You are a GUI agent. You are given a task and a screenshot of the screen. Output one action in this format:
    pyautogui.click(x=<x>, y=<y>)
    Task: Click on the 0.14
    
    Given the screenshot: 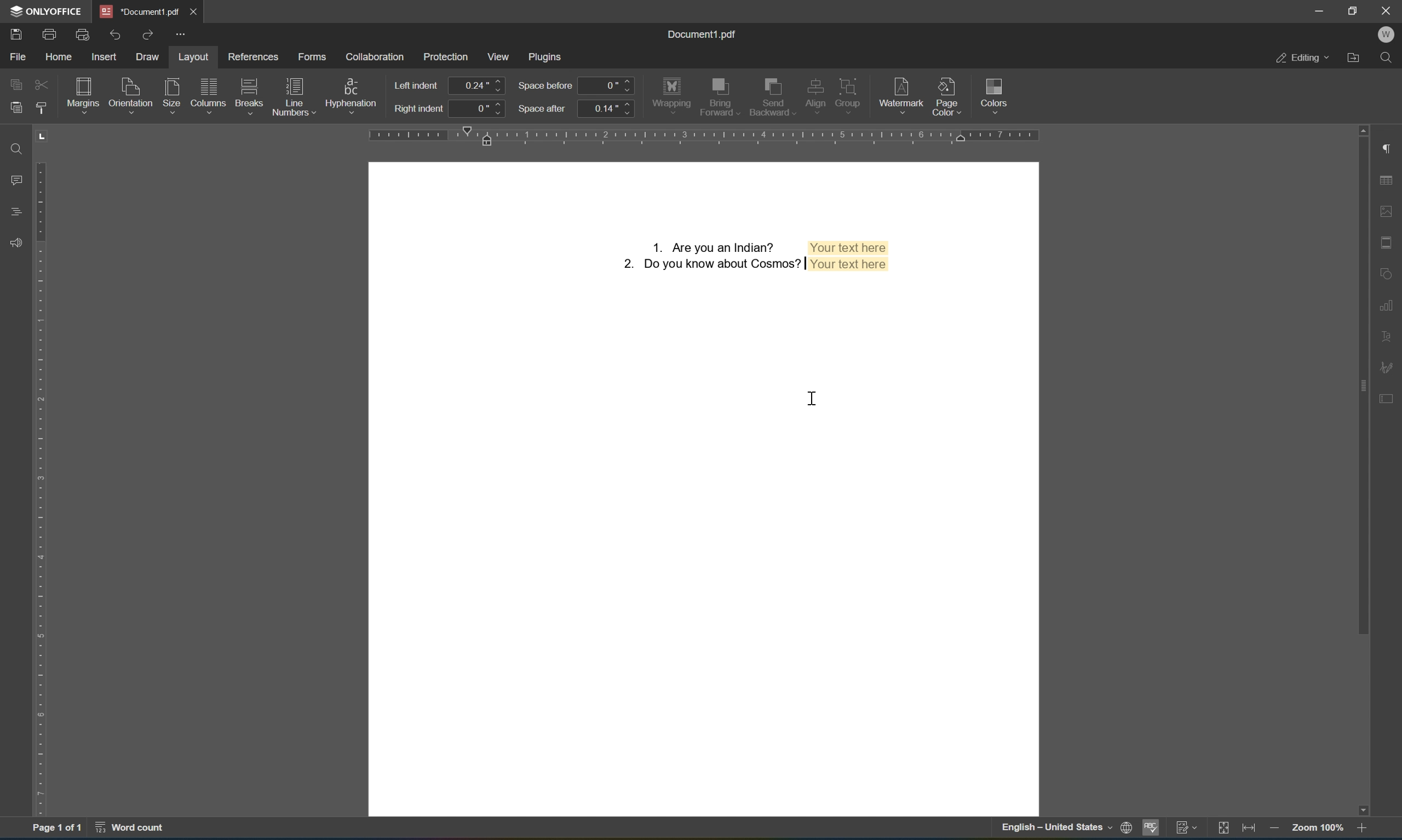 What is the action you would take?
    pyautogui.click(x=606, y=109)
    